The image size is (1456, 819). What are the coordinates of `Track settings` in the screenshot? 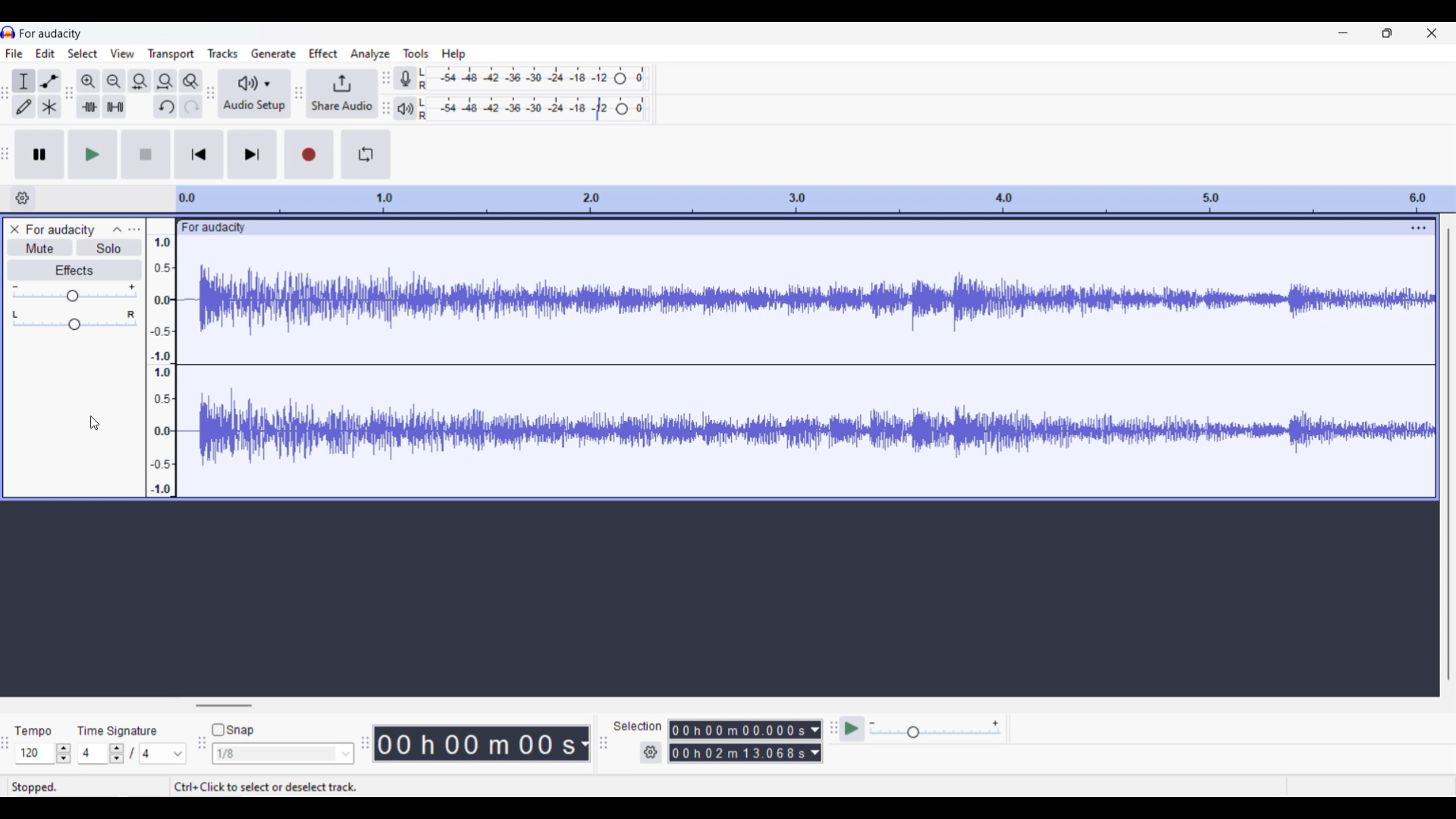 It's located at (1419, 227).